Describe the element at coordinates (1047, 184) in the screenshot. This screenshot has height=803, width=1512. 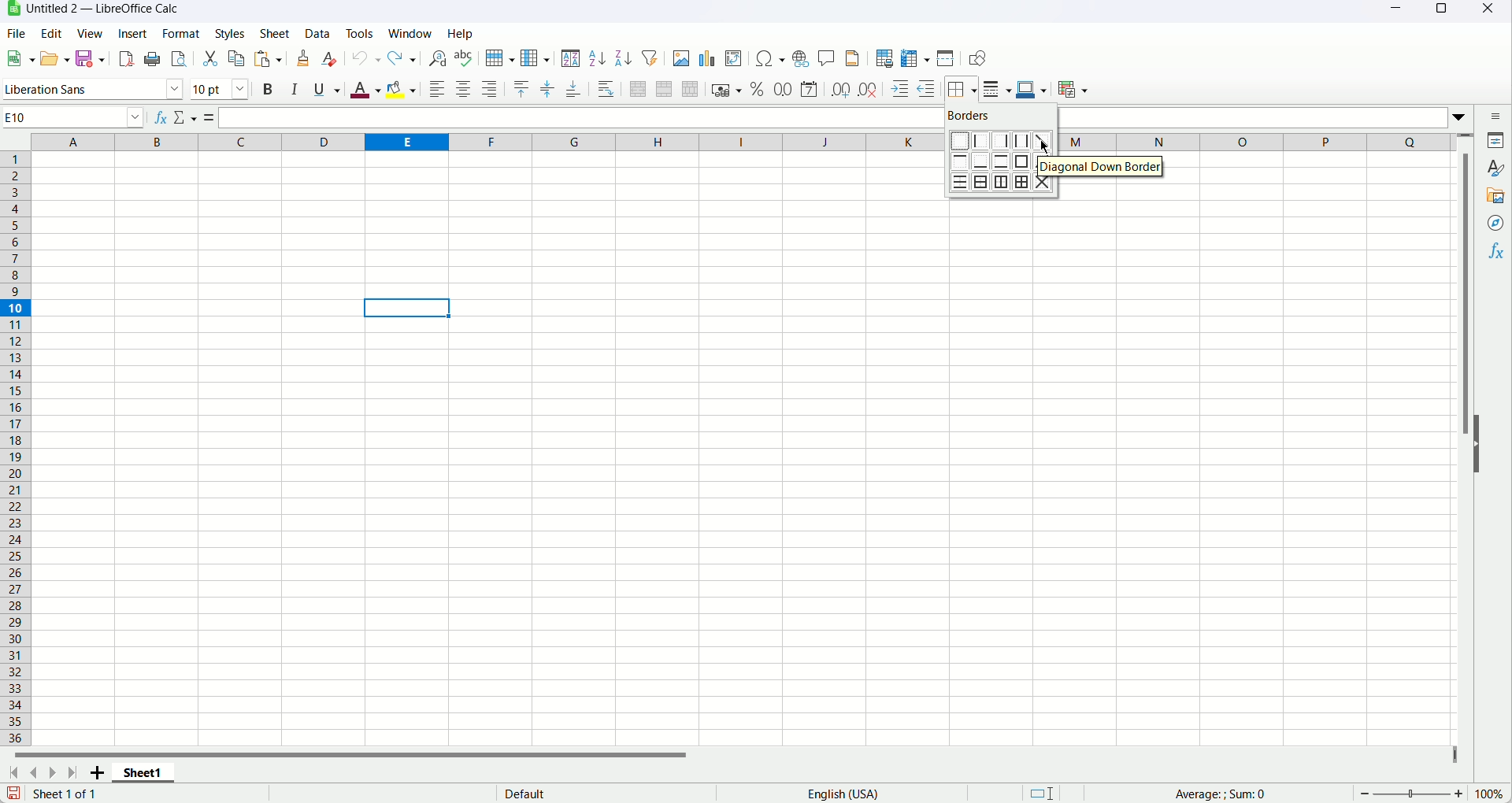
I see `Criss cross border` at that location.